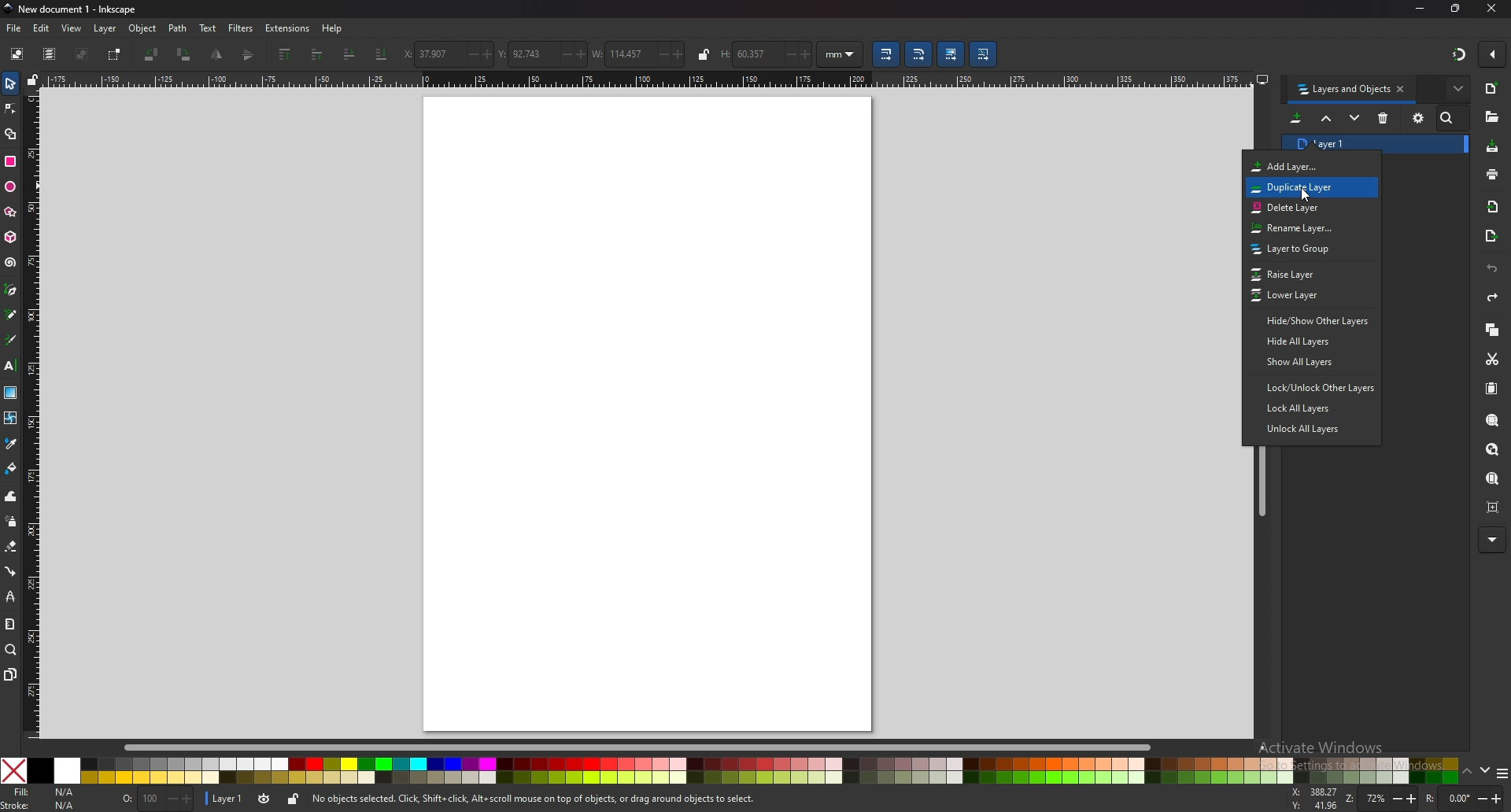 The width and height of the screenshot is (1511, 812). I want to click on delete, so click(1384, 118).